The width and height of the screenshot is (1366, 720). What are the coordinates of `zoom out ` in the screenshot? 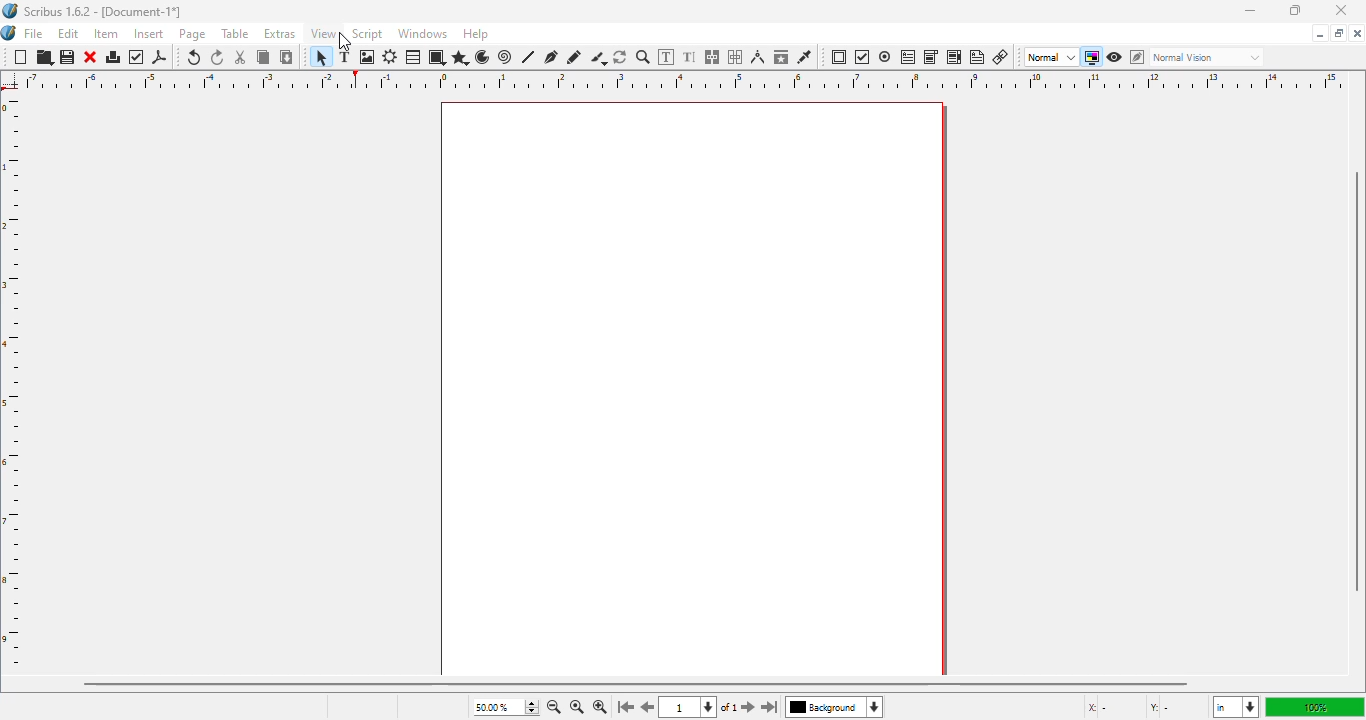 It's located at (553, 707).